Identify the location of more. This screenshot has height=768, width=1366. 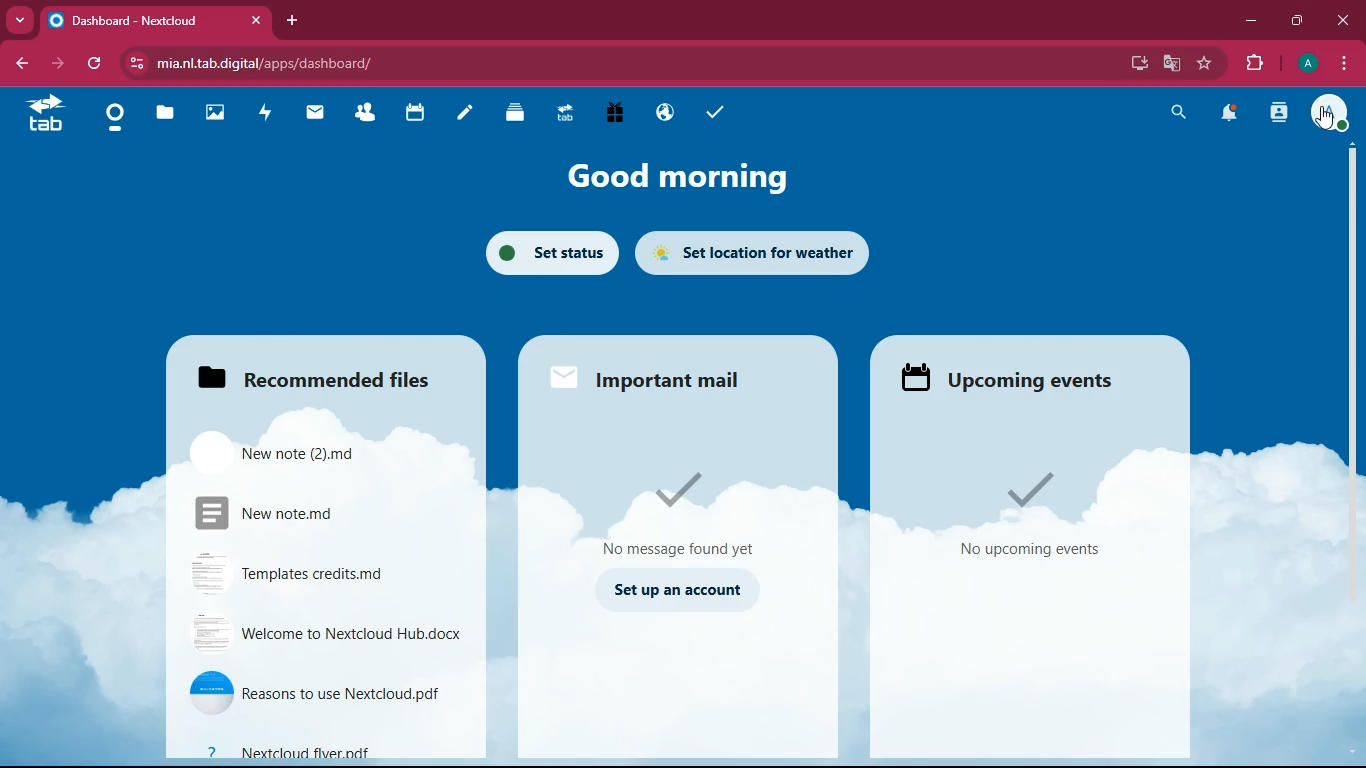
(22, 21).